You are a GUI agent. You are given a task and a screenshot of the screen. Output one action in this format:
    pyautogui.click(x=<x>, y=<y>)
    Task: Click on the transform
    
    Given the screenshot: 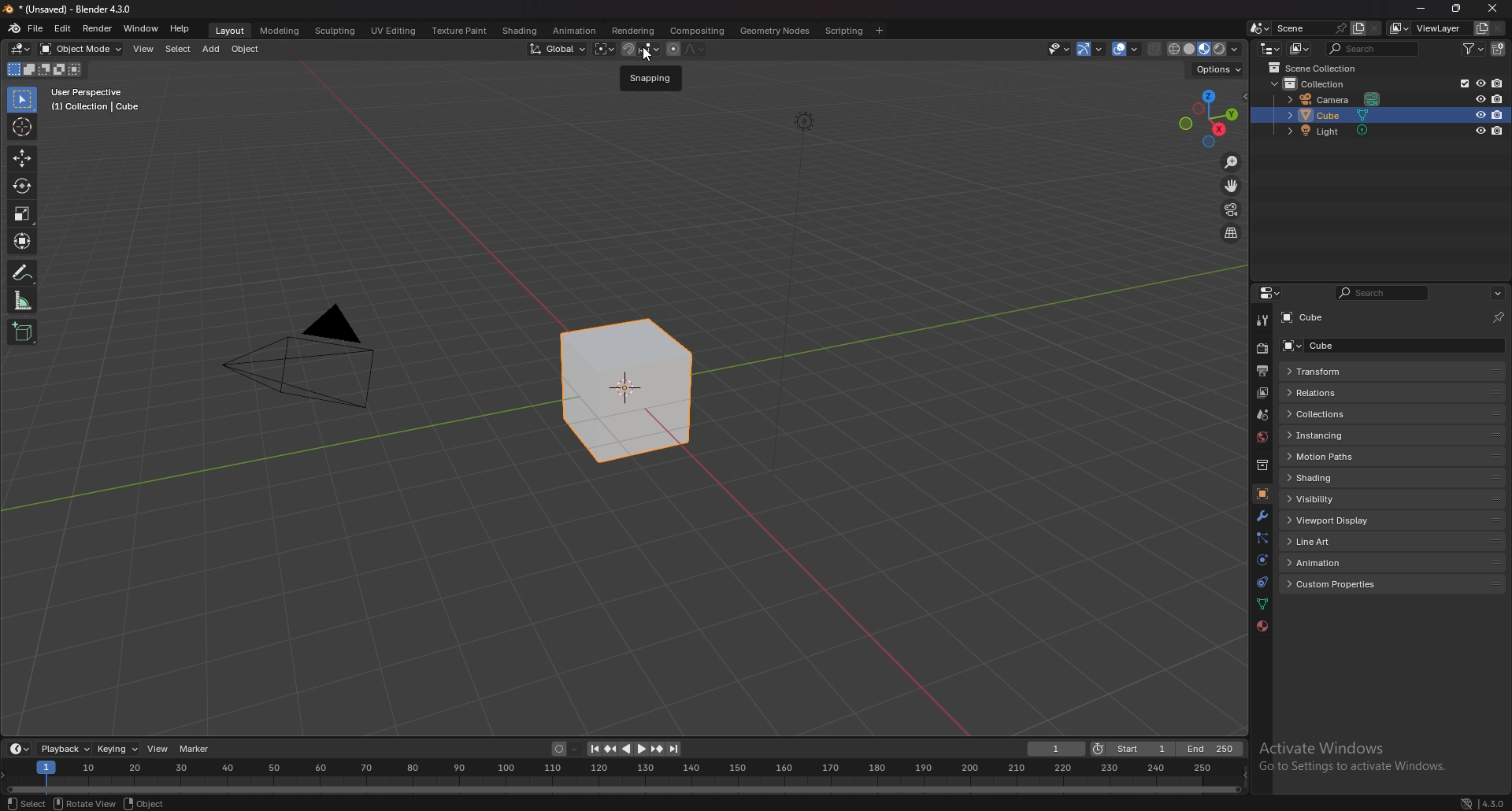 What is the action you would take?
    pyautogui.click(x=24, y=240)
    